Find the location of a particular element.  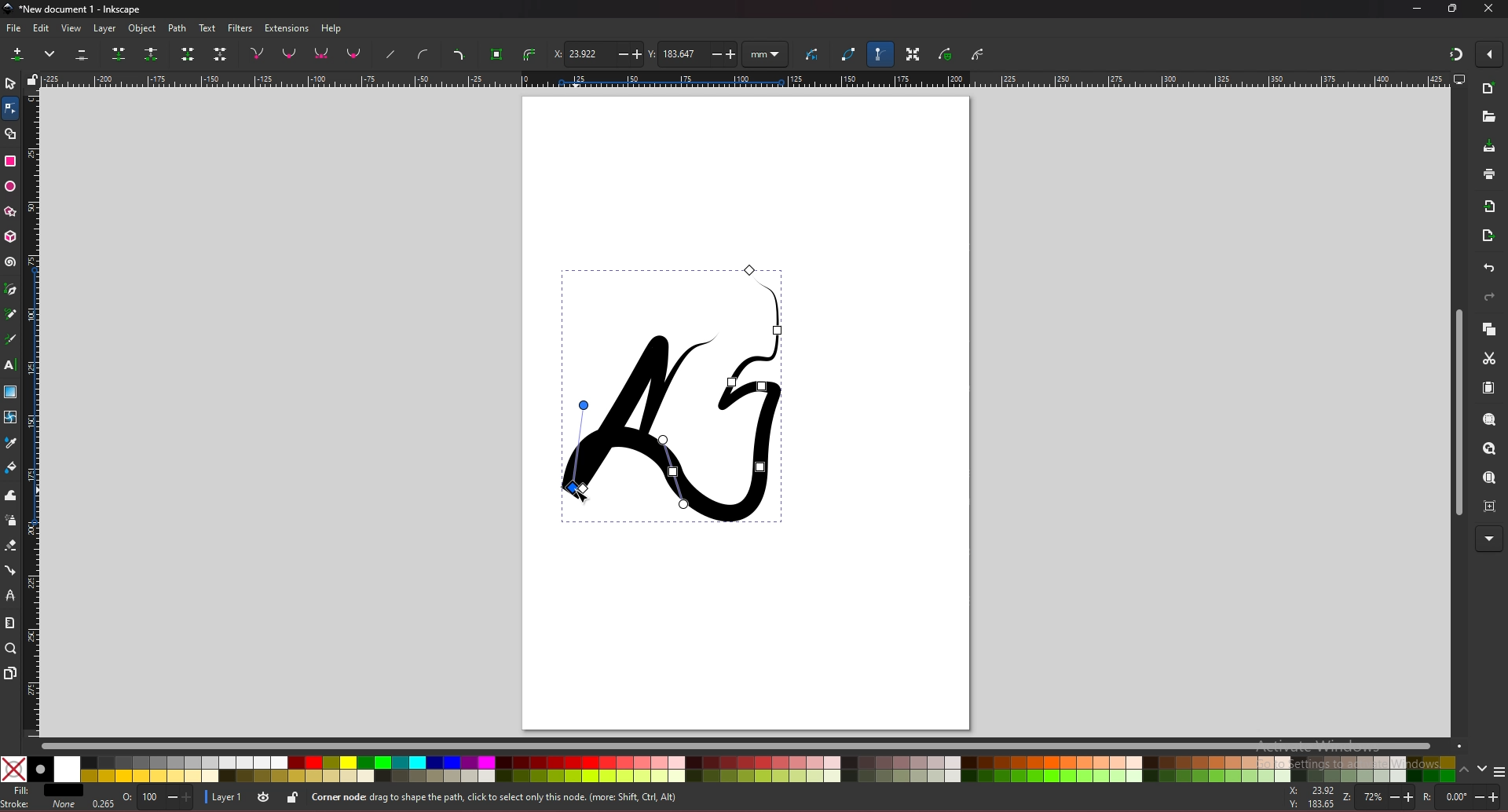

shape builder is located at coordinates (11, 134).